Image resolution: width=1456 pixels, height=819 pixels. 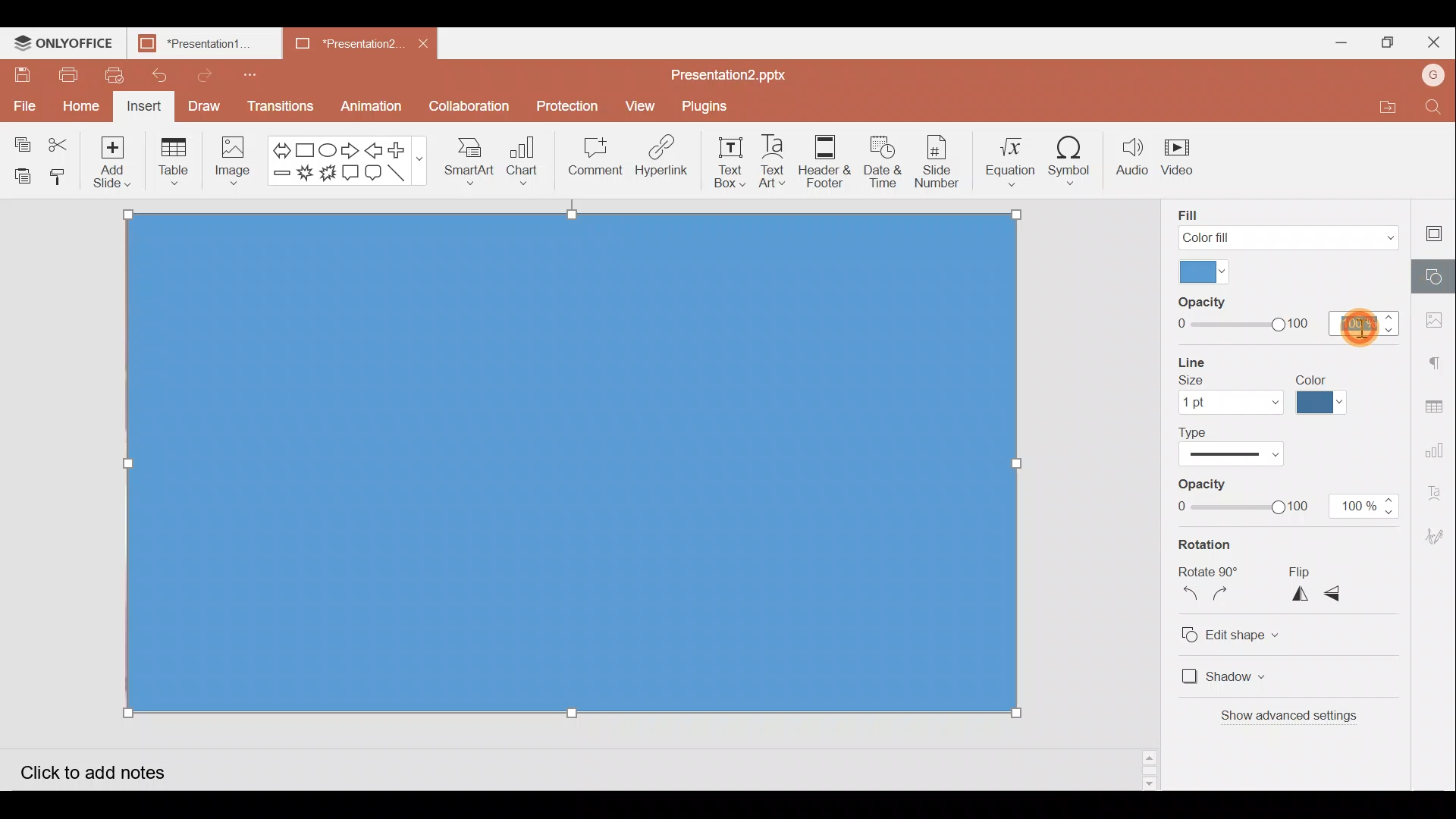 What do you see at coordinates (1241, 315) in the screenshot?
I see `Fill Opacity slide bar` at bounding box center [1241, 315].